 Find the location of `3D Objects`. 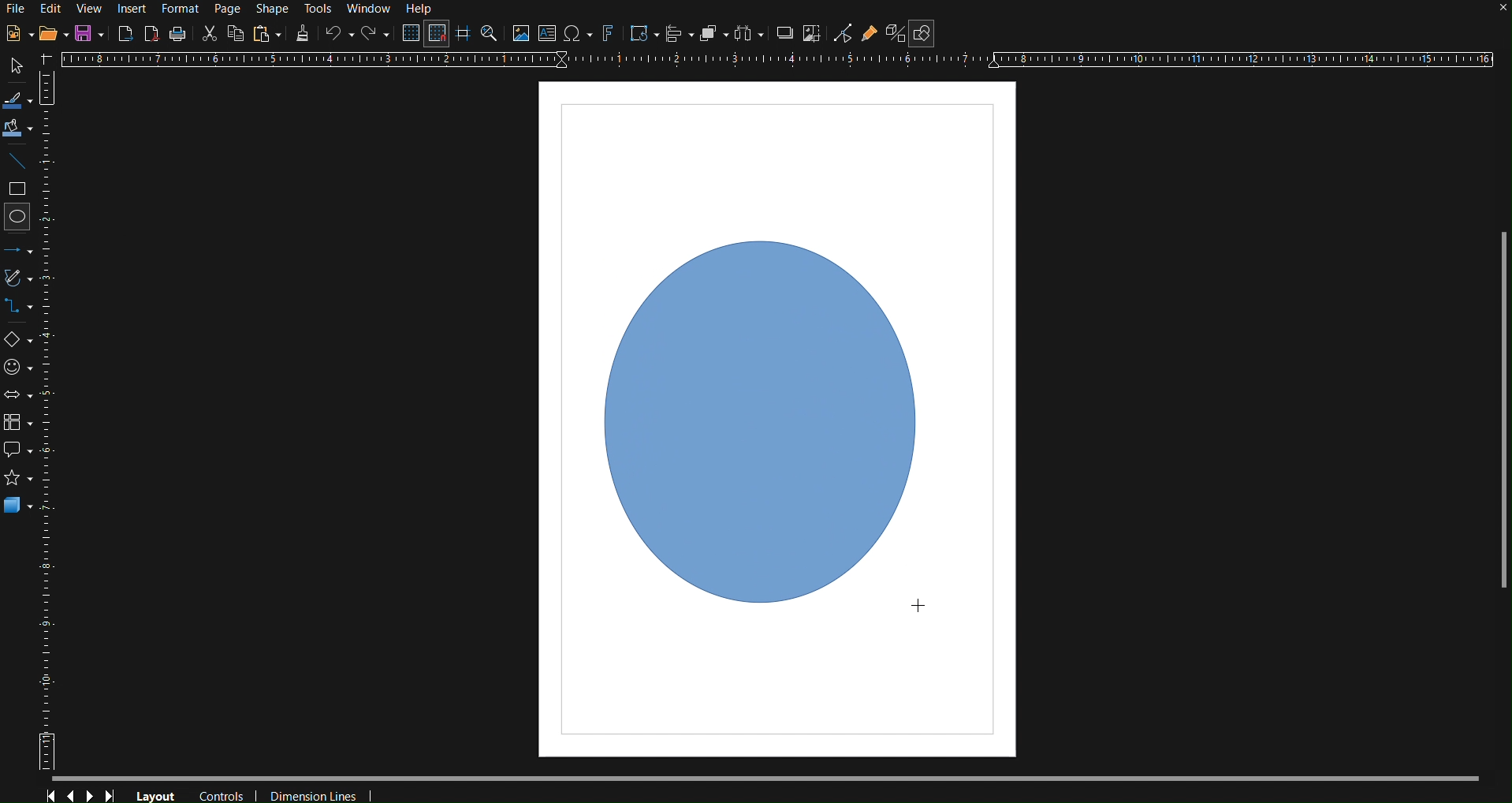

3D Objects is located at coordinates (18, 505).